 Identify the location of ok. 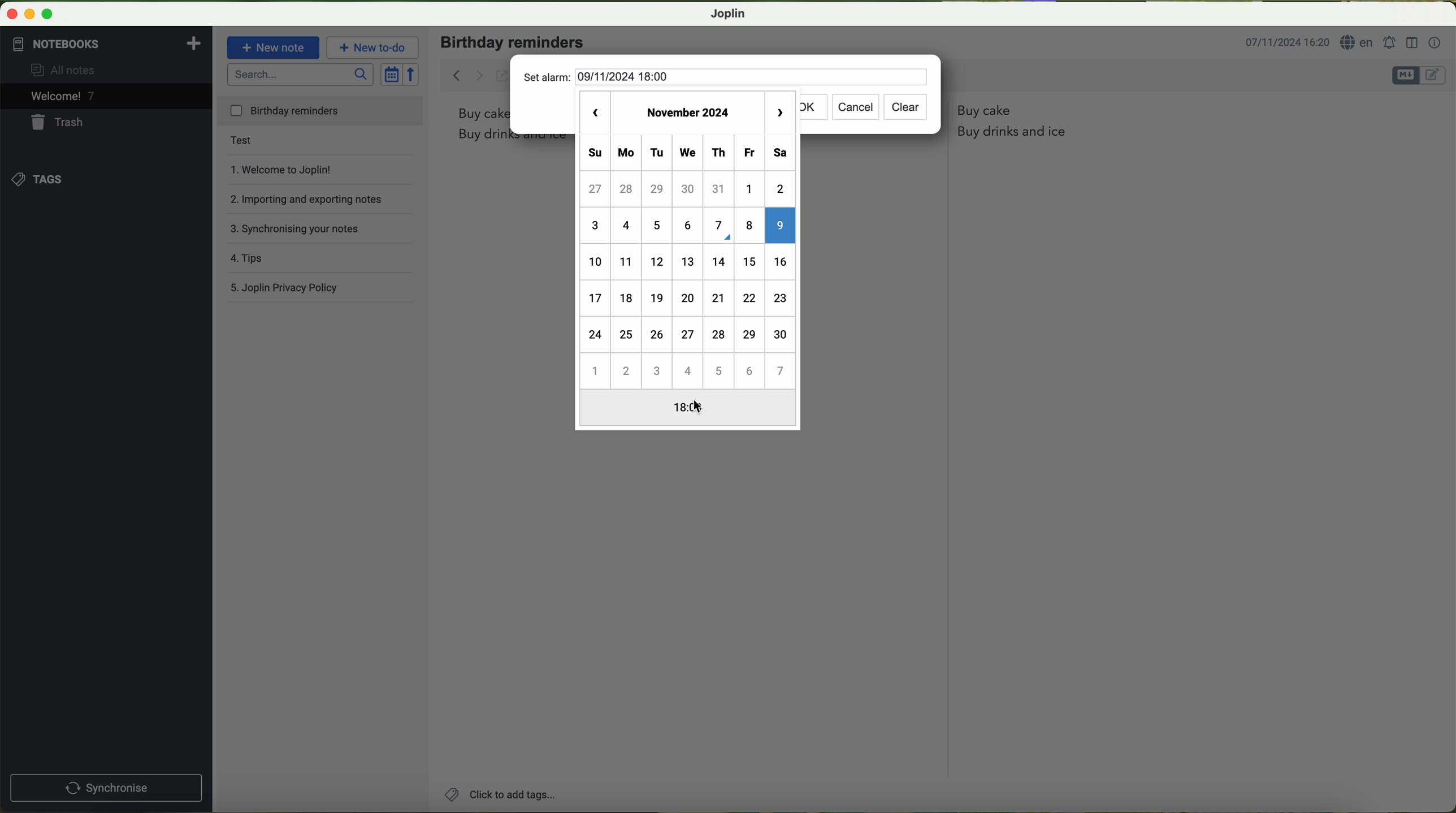
(816, 110).